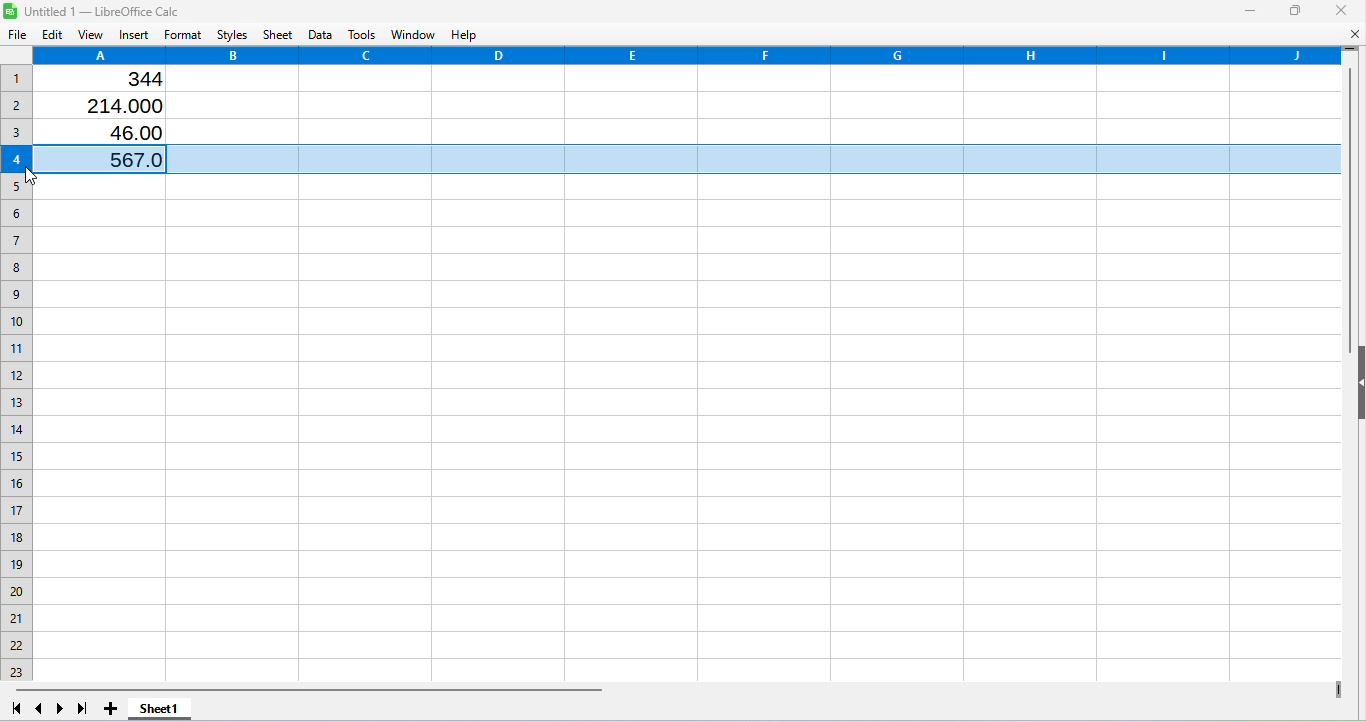 This screenshot has height=722, width=1366. What do you see at coordinates (1349, 368) in the screenshot?
I see `Vertical scroll bar` at bounding box center [1349, 368].